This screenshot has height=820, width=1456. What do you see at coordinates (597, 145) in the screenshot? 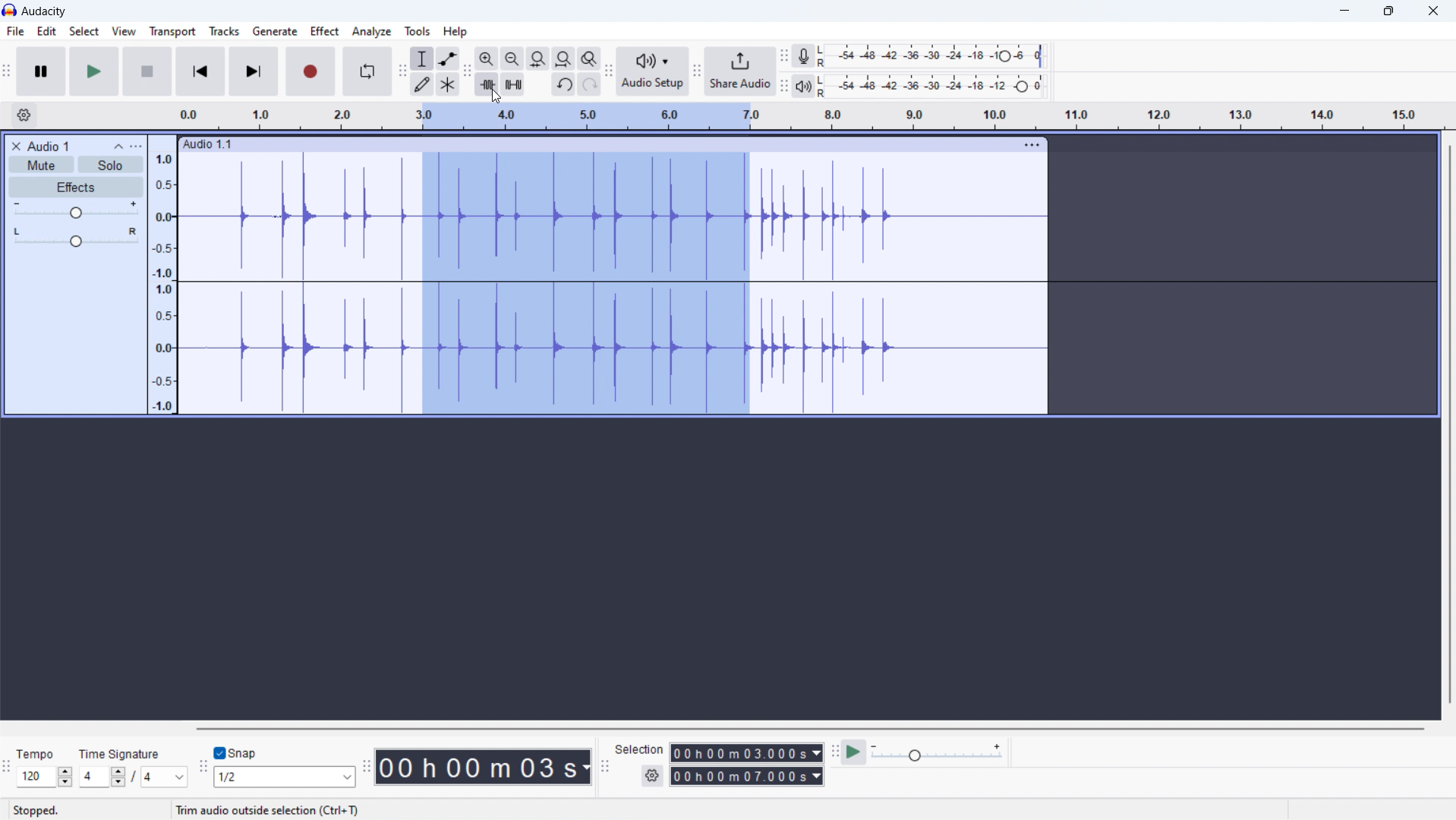
I see `hold to move` at bounding box center [597, 145].